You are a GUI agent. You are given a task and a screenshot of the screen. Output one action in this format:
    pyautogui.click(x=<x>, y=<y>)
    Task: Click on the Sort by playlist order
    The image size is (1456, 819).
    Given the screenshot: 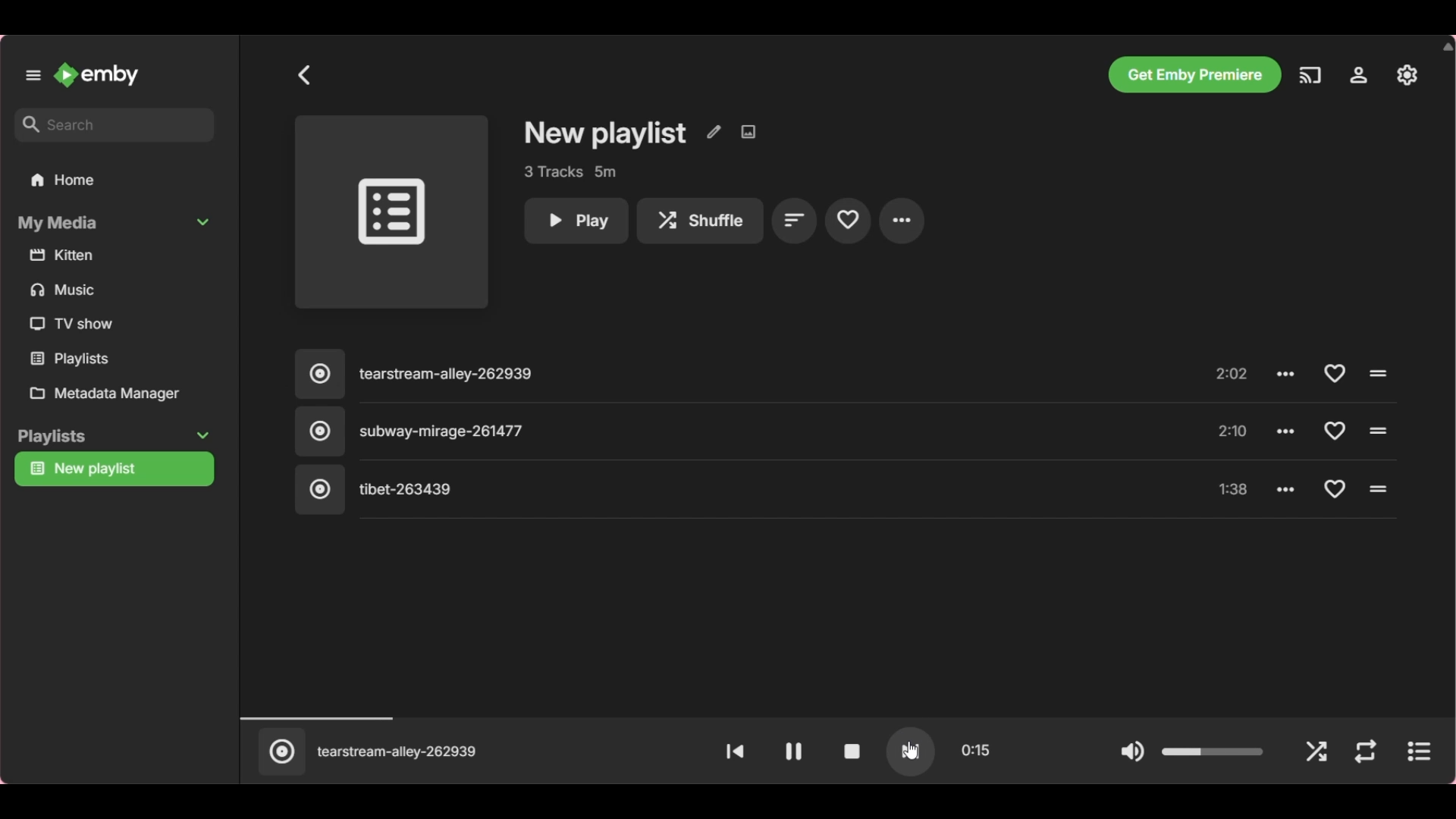 What is the action you would take?
    pyautogui.click(x=793, y=220)
    